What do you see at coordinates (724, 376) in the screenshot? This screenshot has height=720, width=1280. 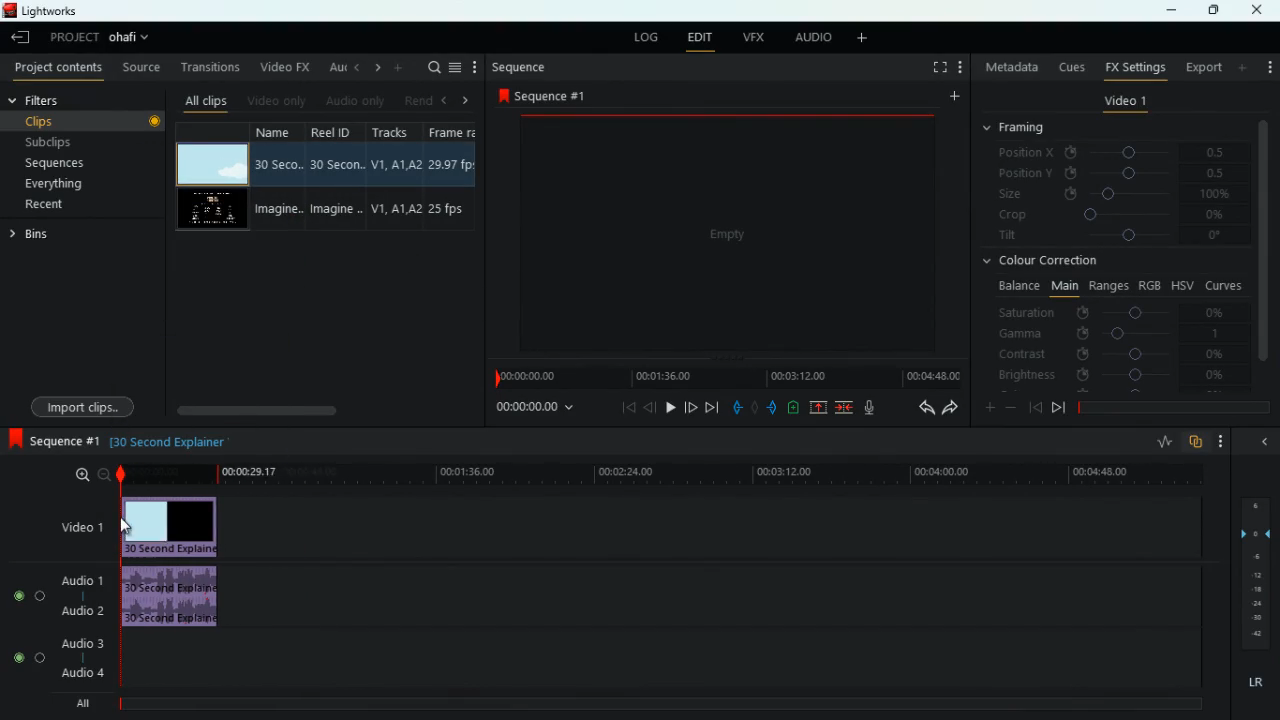 I see `timeline` at bounding box center [724, 376].